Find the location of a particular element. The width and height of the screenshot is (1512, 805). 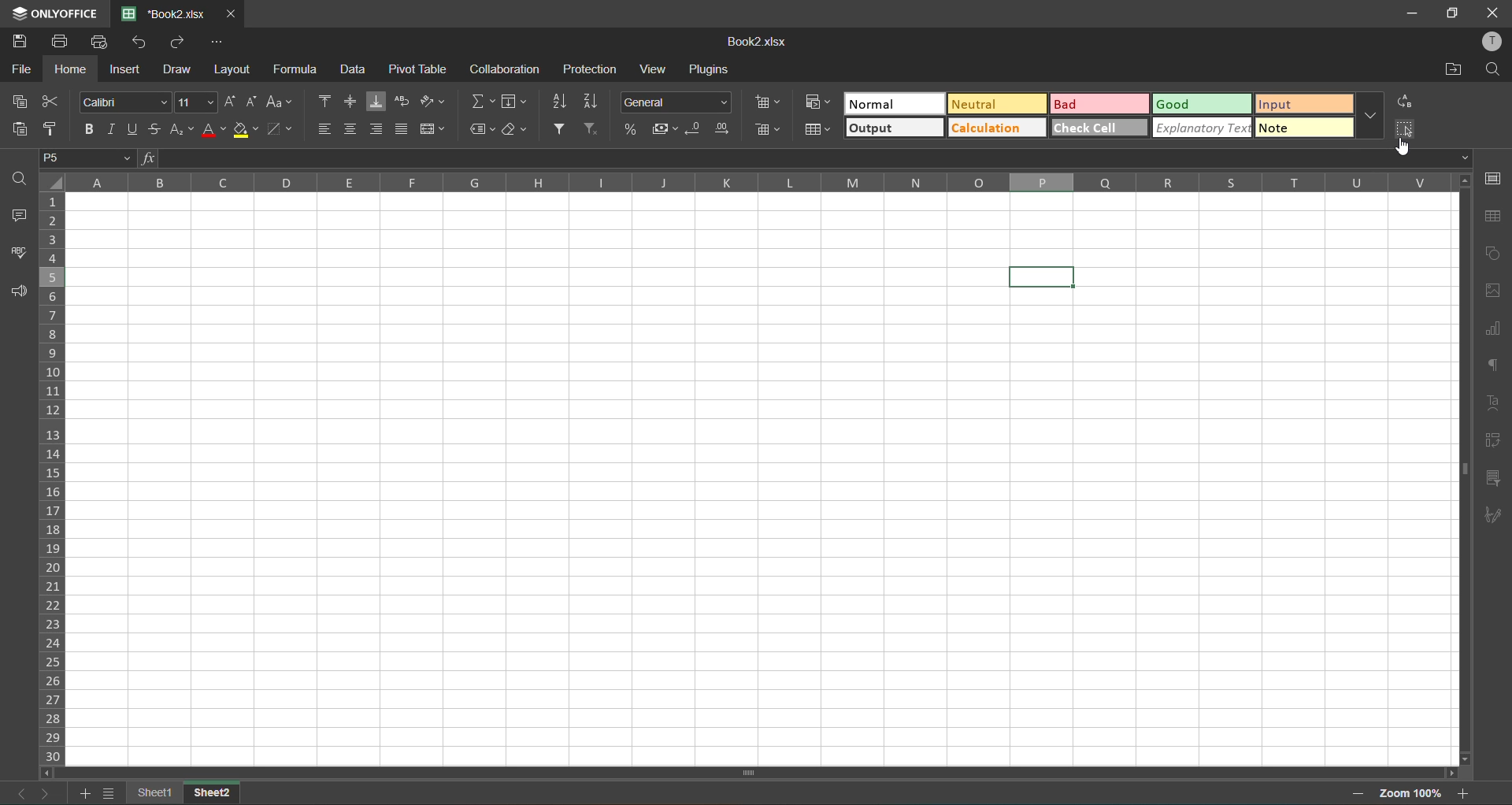

percent is located at coordinates (630, 128).